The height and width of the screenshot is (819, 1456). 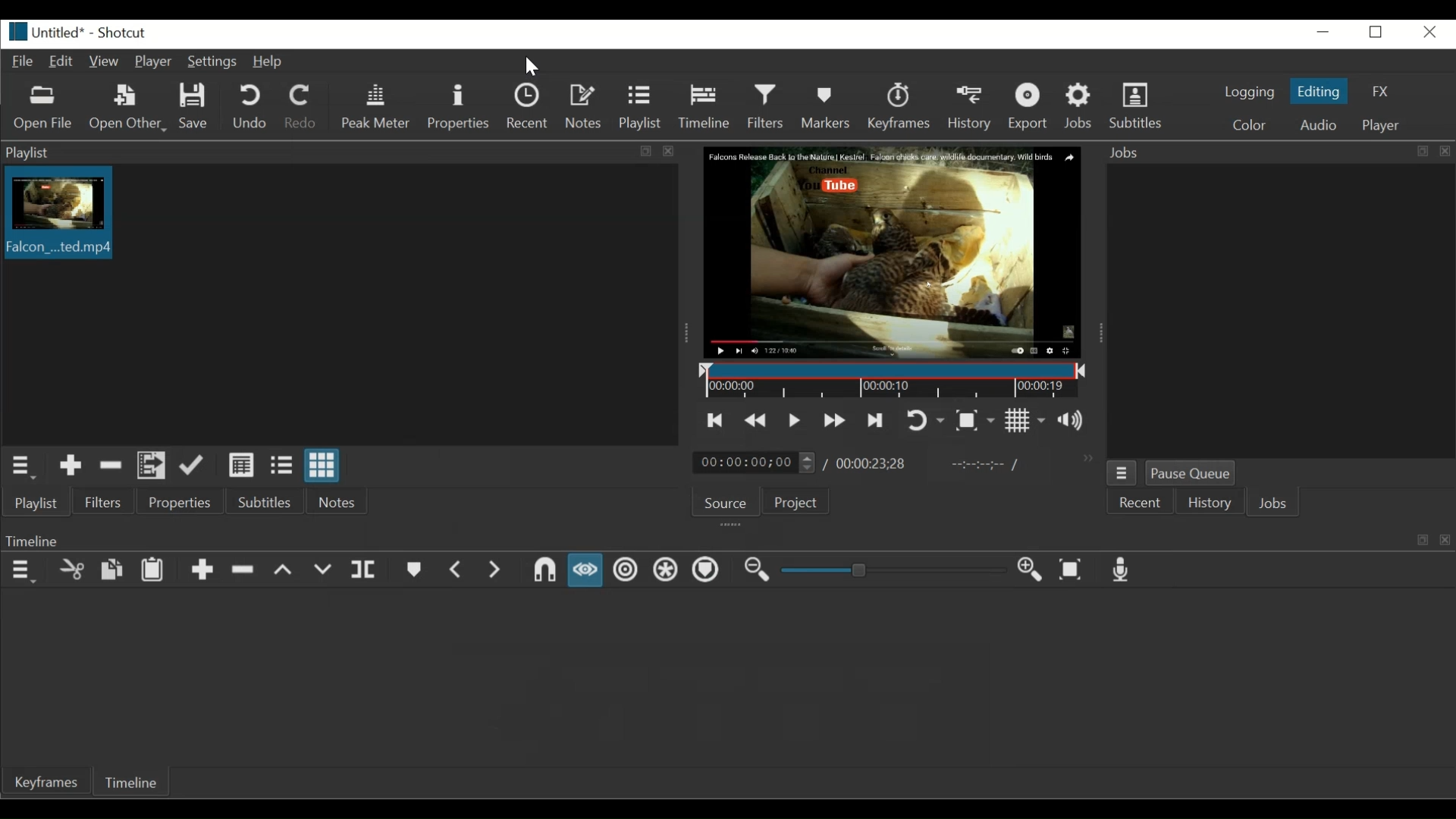 I want to click on Audio, so click(x=1317, y=124).